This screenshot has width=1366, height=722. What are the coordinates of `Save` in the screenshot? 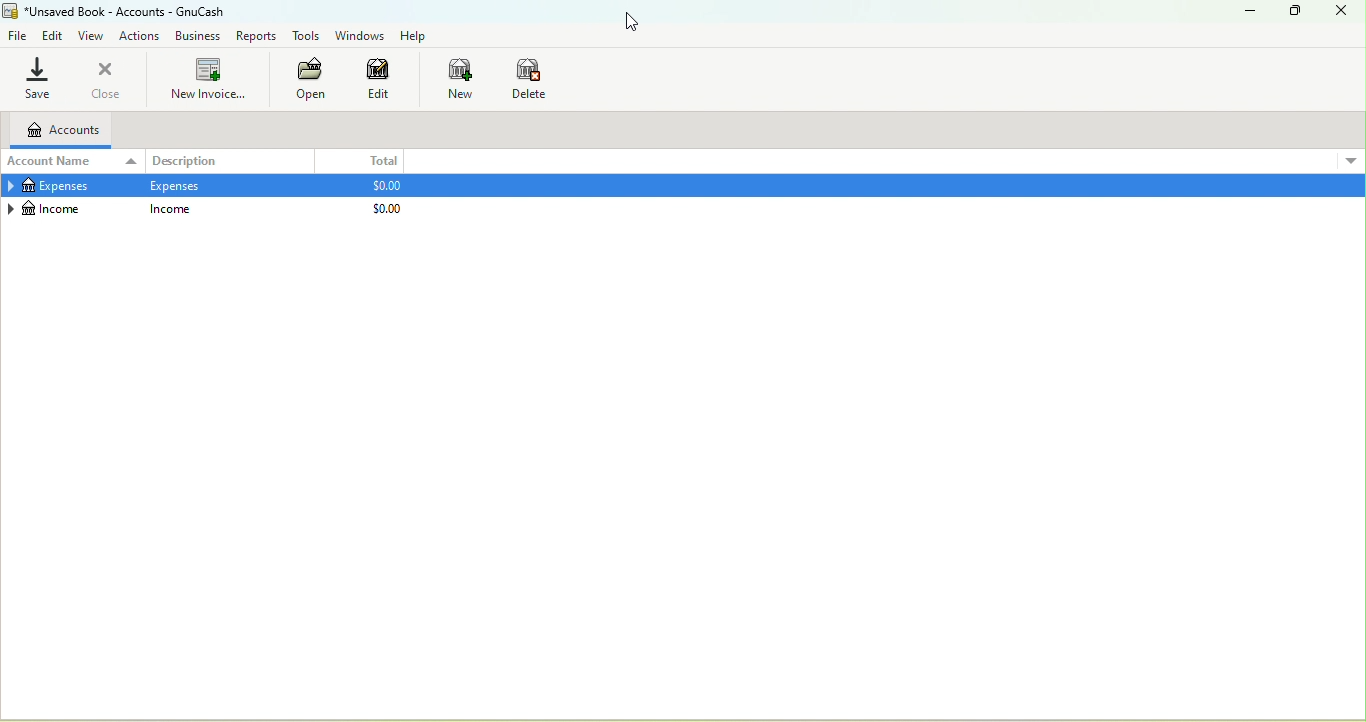 It's located at (38, 77).